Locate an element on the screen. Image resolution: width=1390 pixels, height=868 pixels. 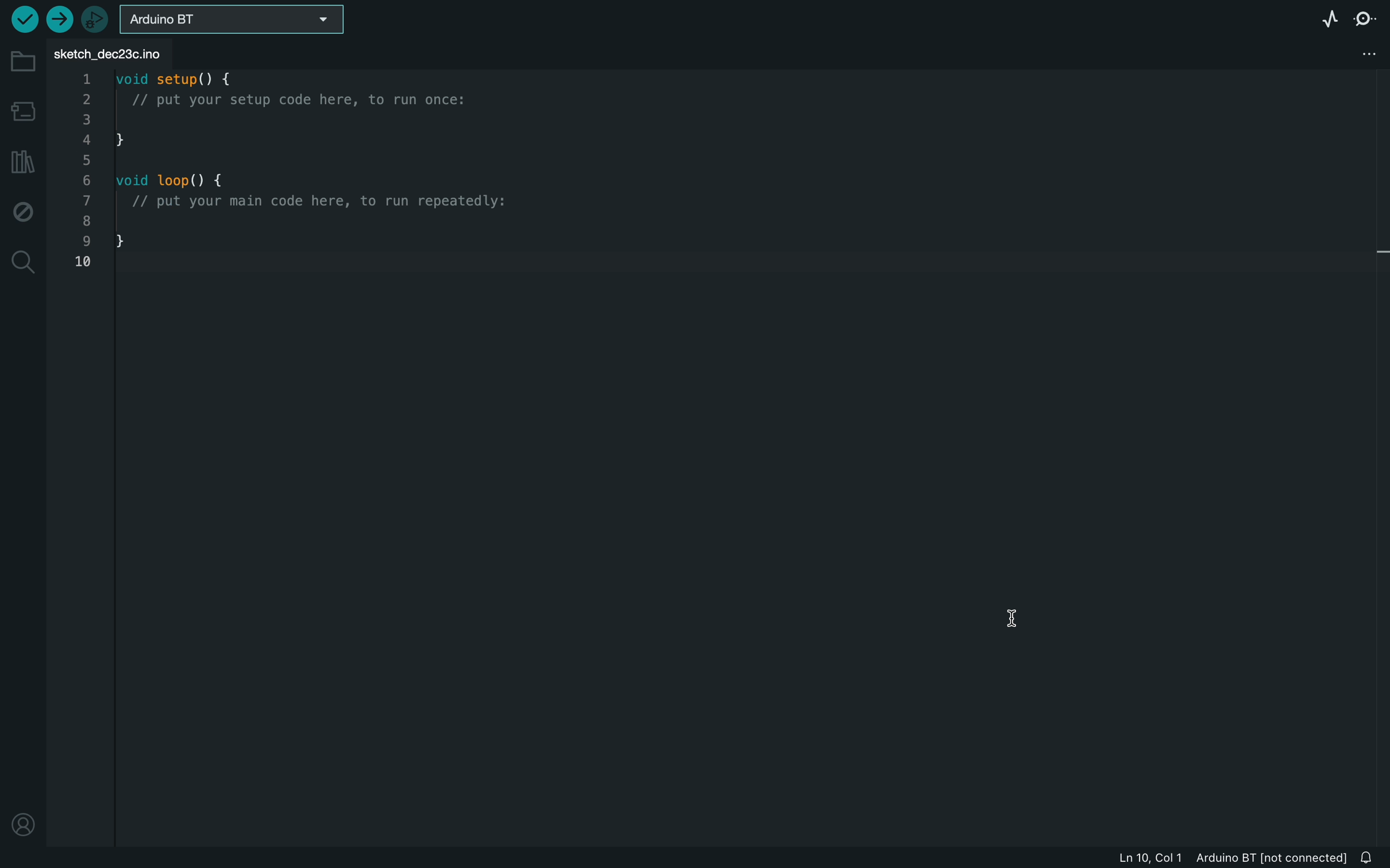
code is located at coordinates (284, 170).